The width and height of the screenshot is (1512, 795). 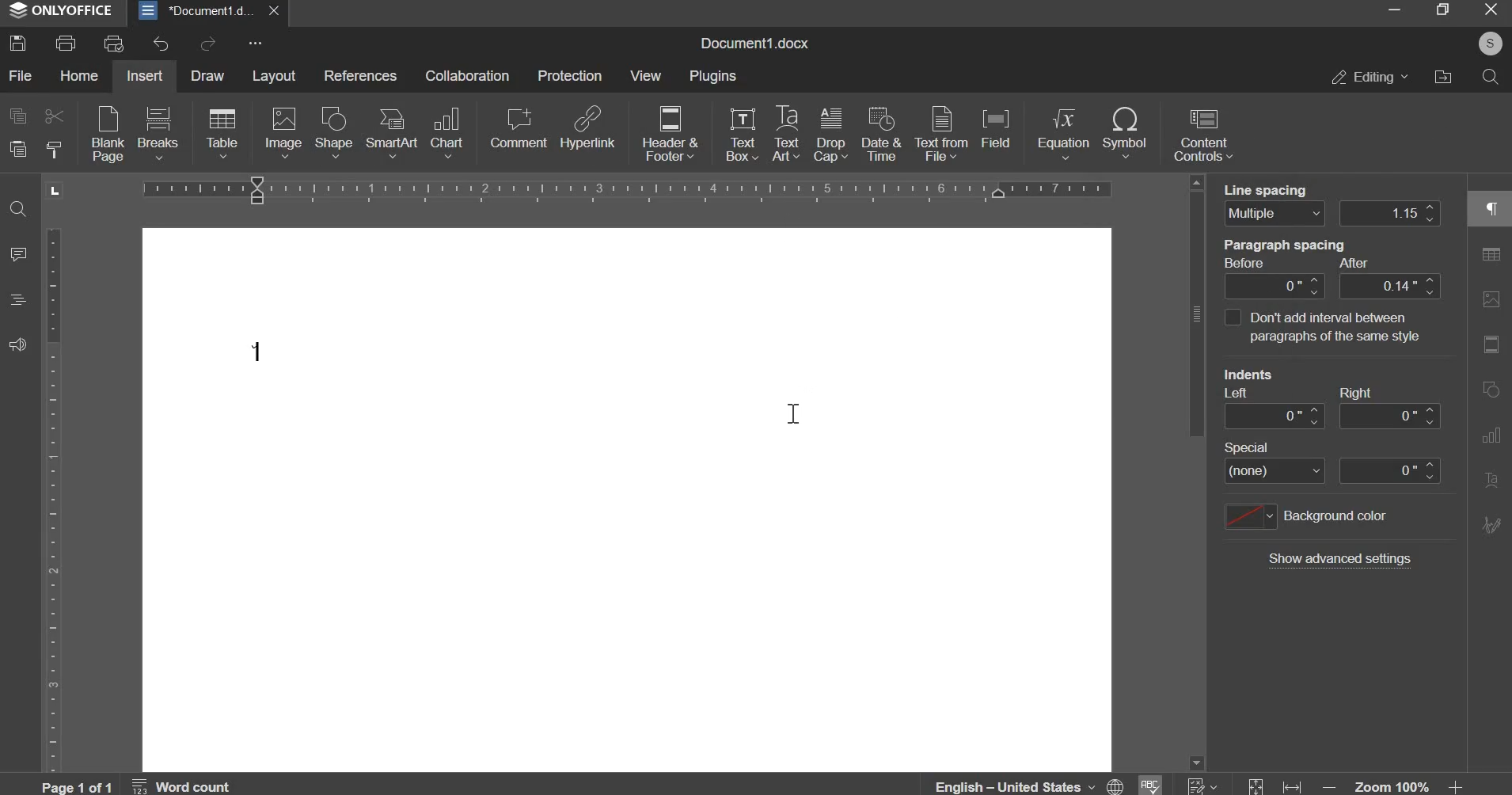 I want to click on file, so click(x=19, y=74).